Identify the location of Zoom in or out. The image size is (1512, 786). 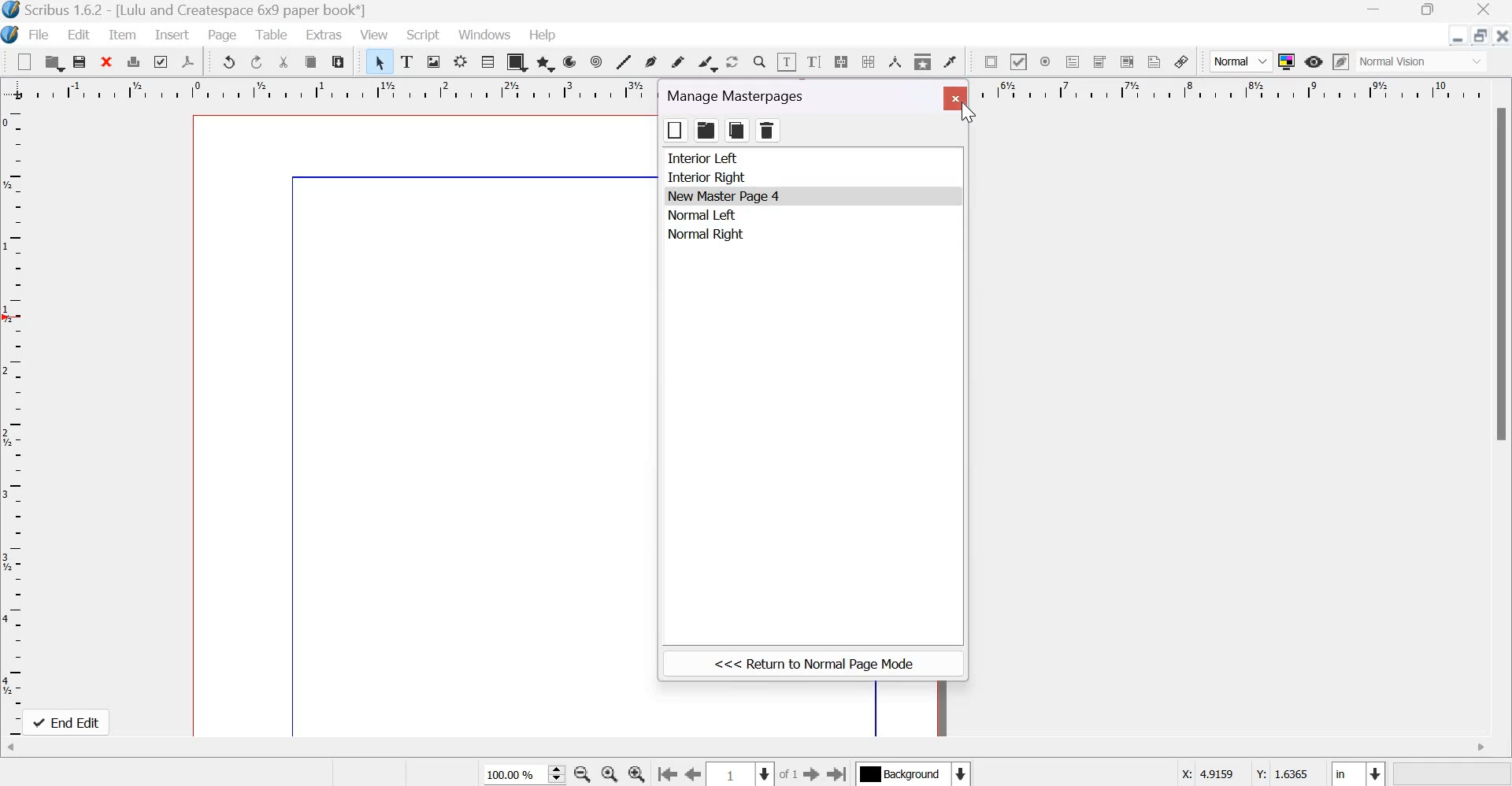
(760, 61).